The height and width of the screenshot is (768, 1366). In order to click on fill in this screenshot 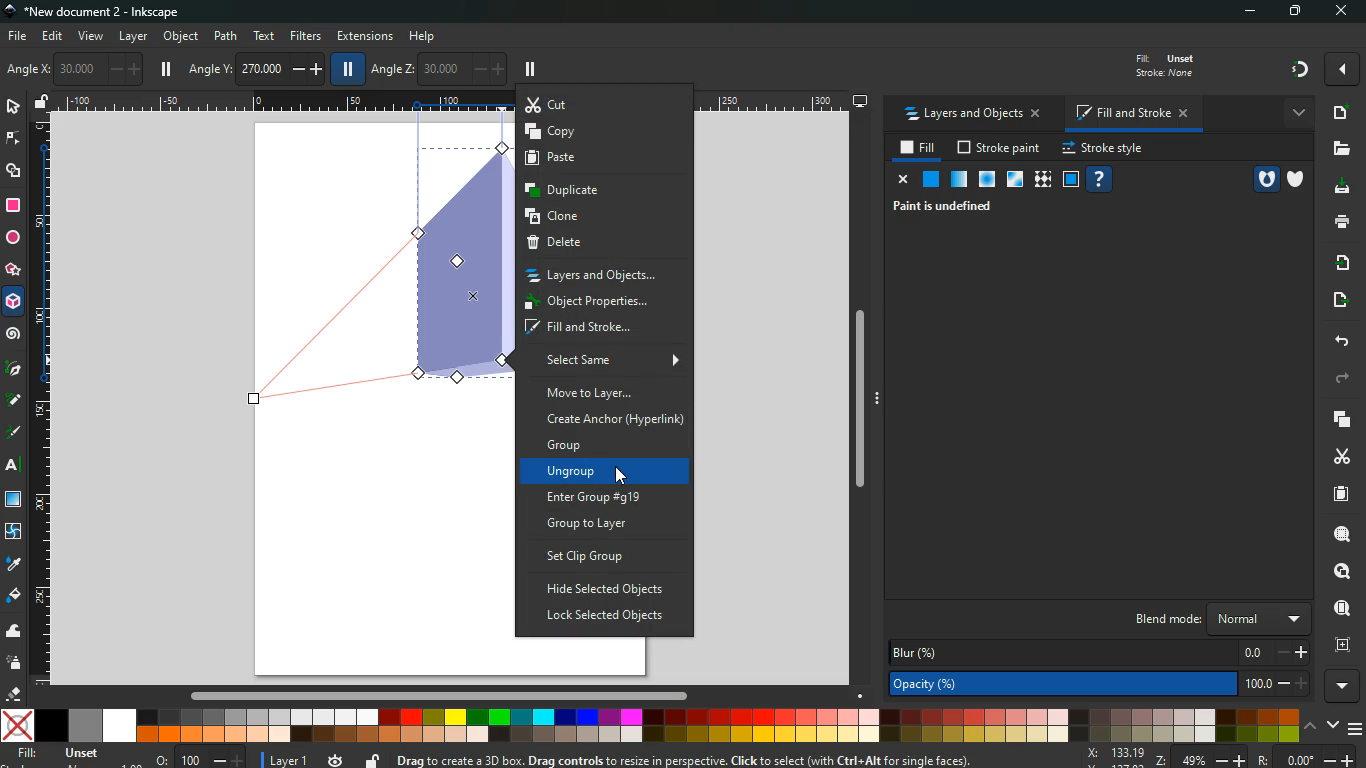, I will do `click(14, 596)`.